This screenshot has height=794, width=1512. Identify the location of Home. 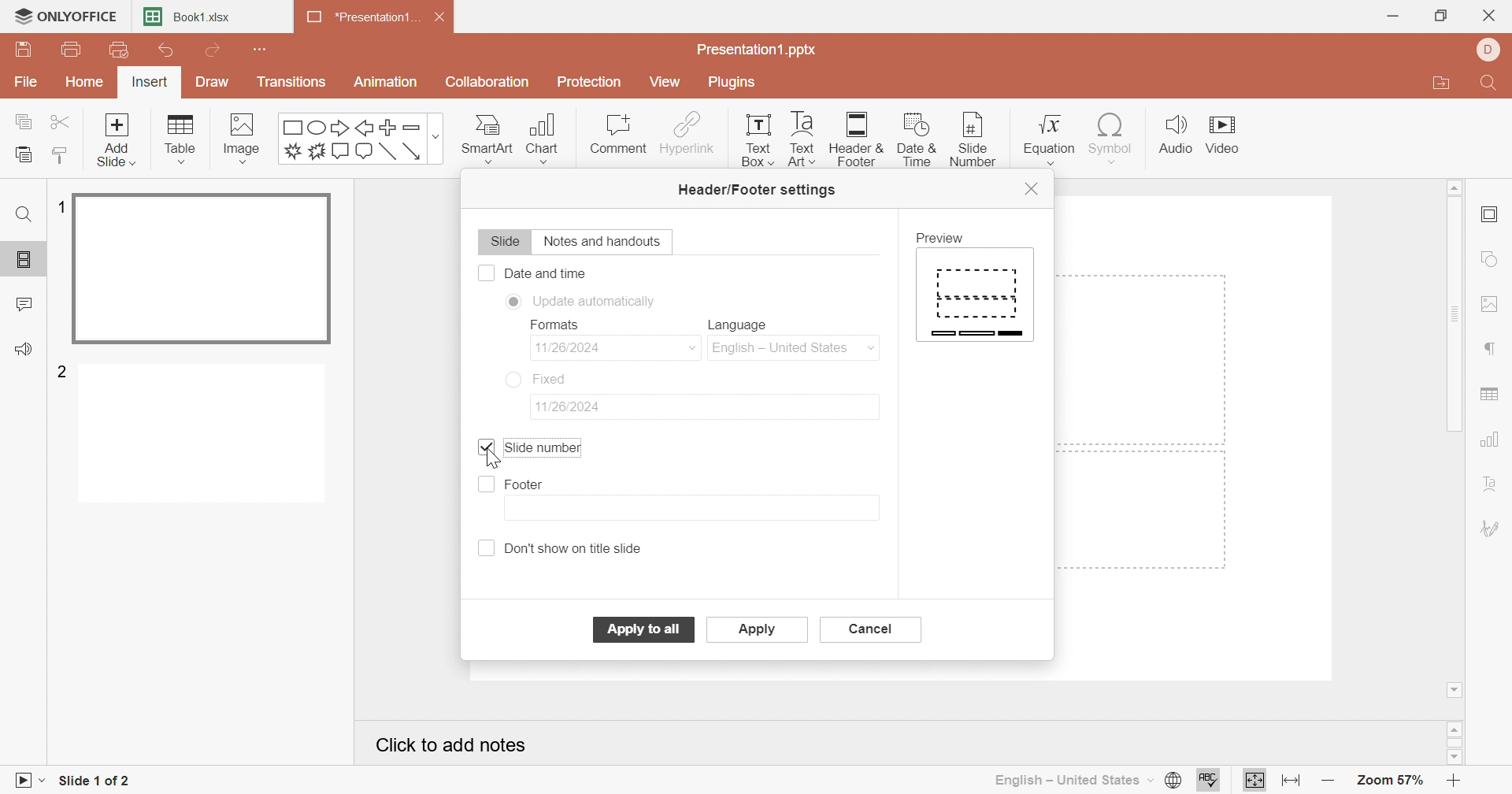
(87, 81).